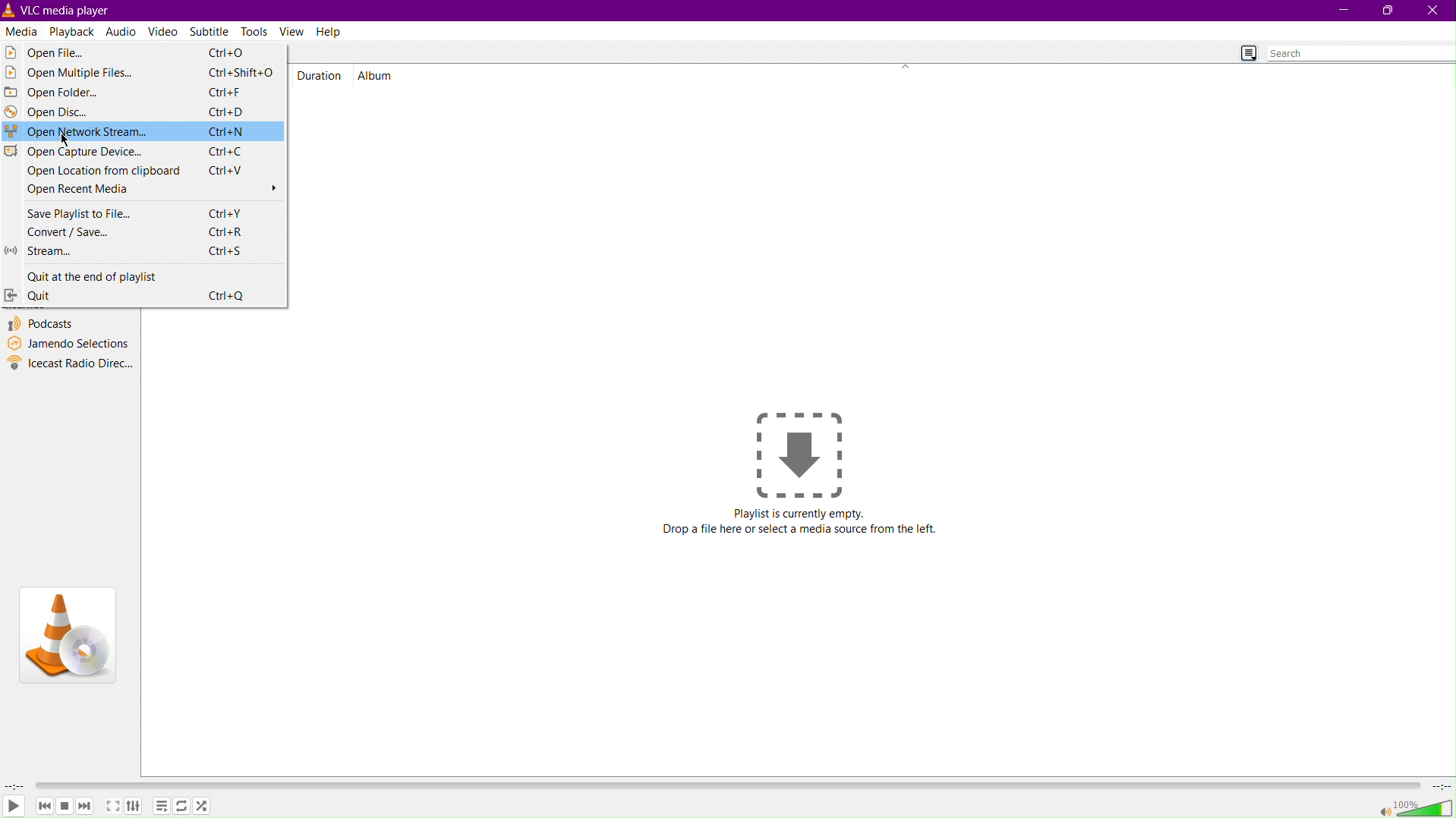 The width and height of the screenshot is (1456, 818). I want to click on ctrl+Q, so click(227, 295).